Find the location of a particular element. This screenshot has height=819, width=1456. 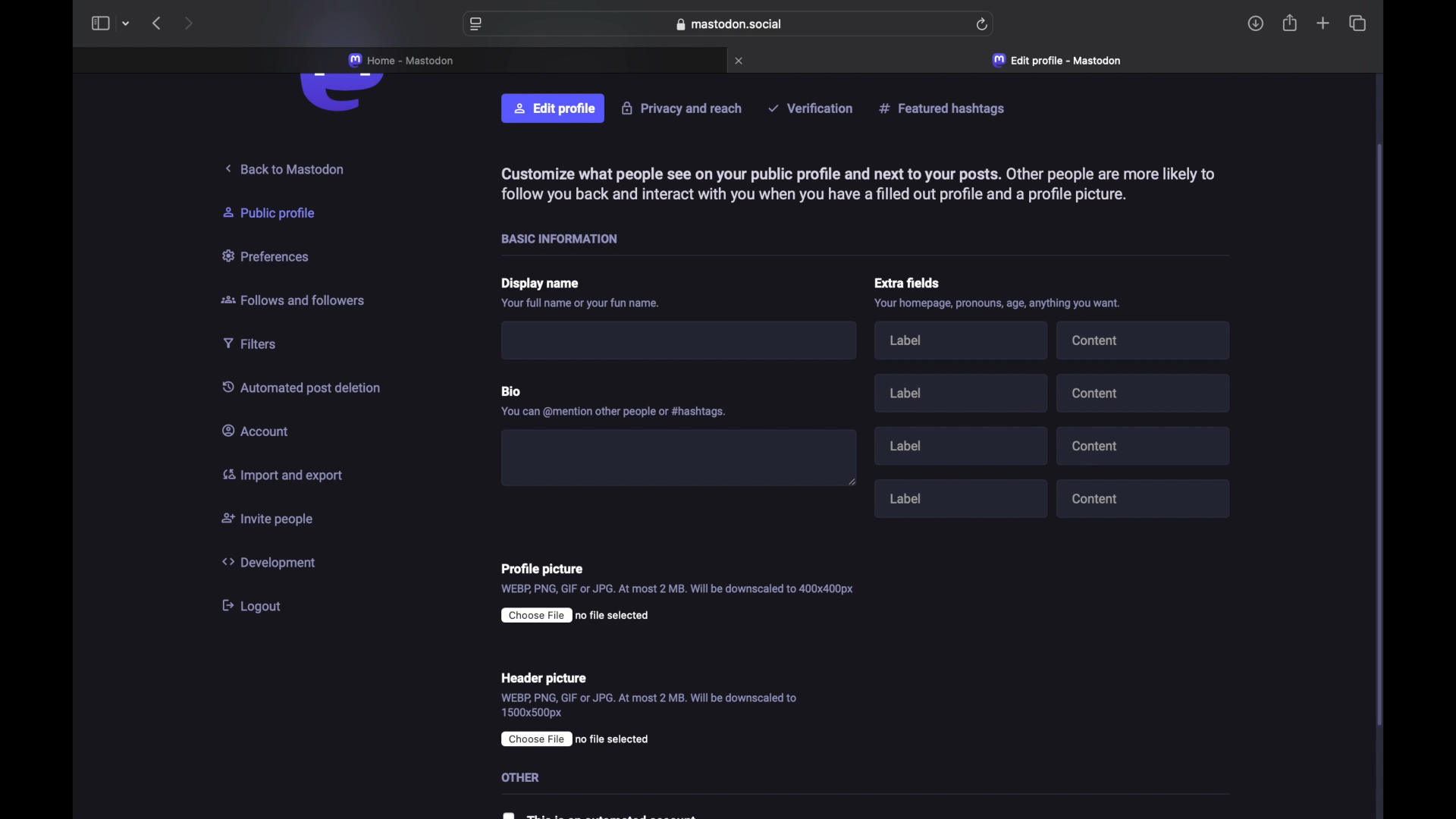

extra fields is located at coordinates (905, 281).